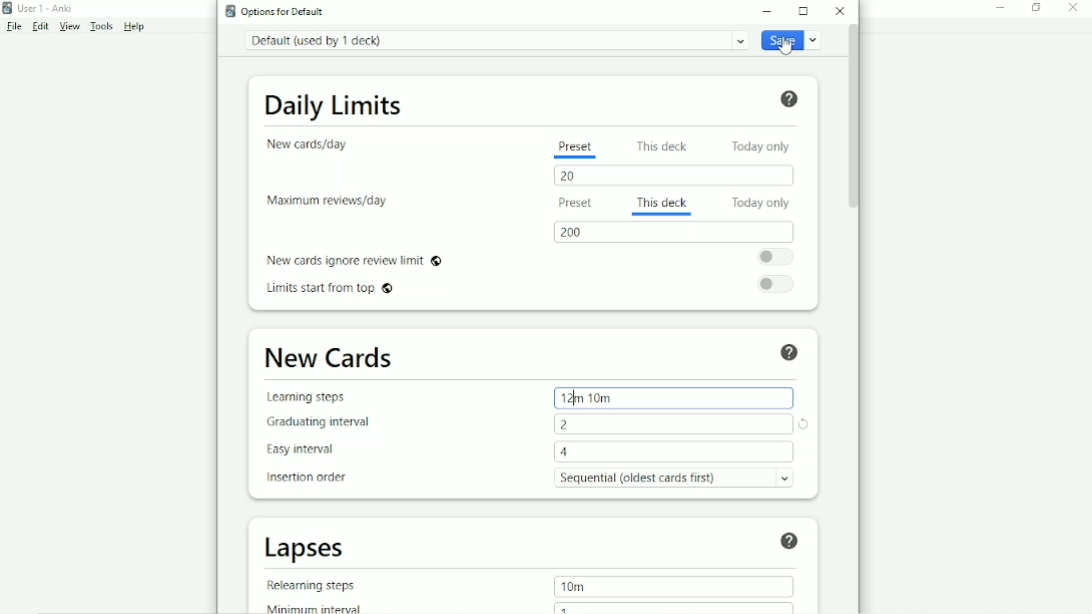 The width and height of the screenshot is (1092, 614). What do you see at coordinates (332, 290) in the screenshot?
I see `Limits start from top` at bounding box center [332, 290].